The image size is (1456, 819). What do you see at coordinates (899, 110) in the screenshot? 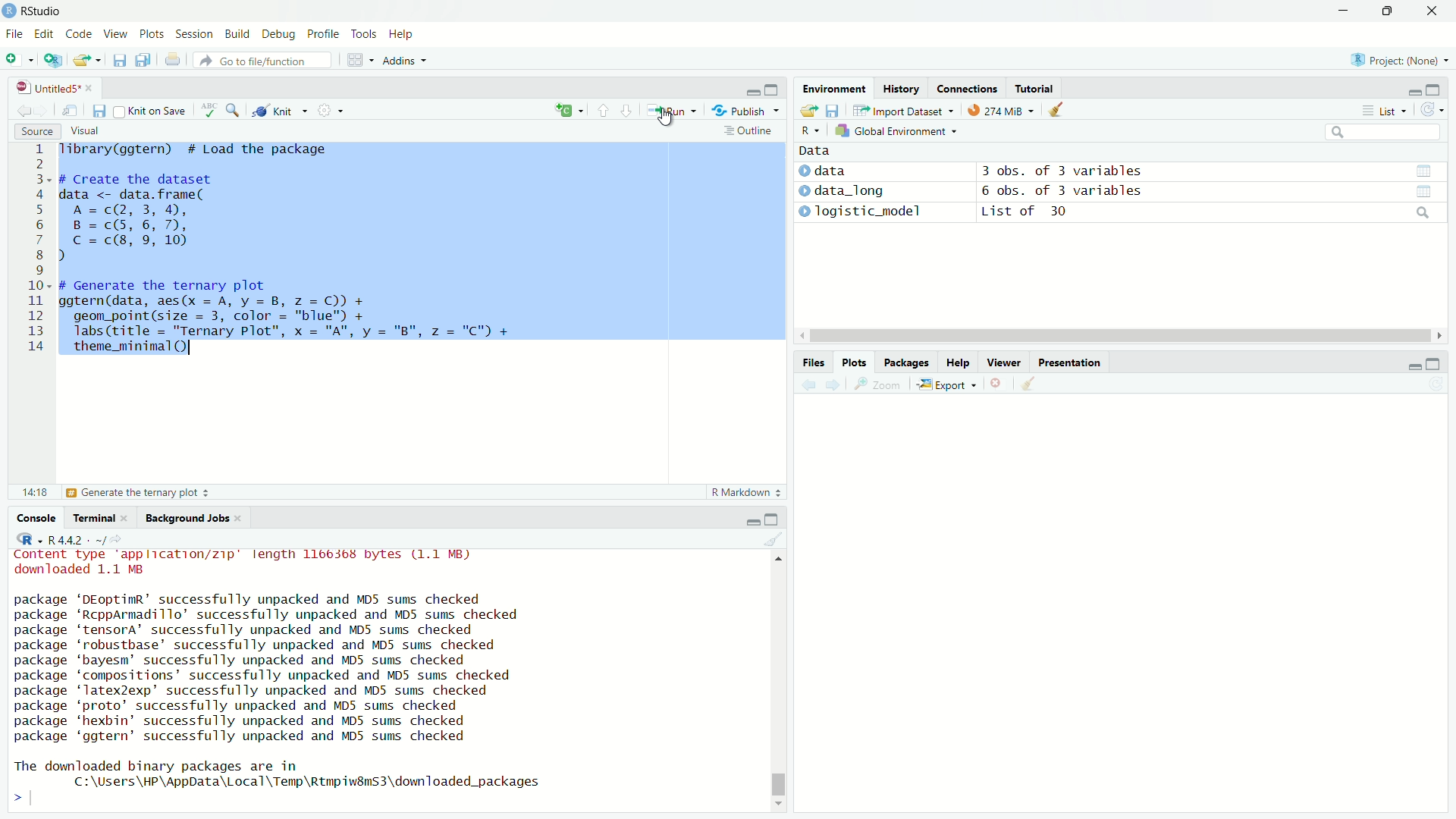
I see `Import Dataset` at bounding box center [899, 110].